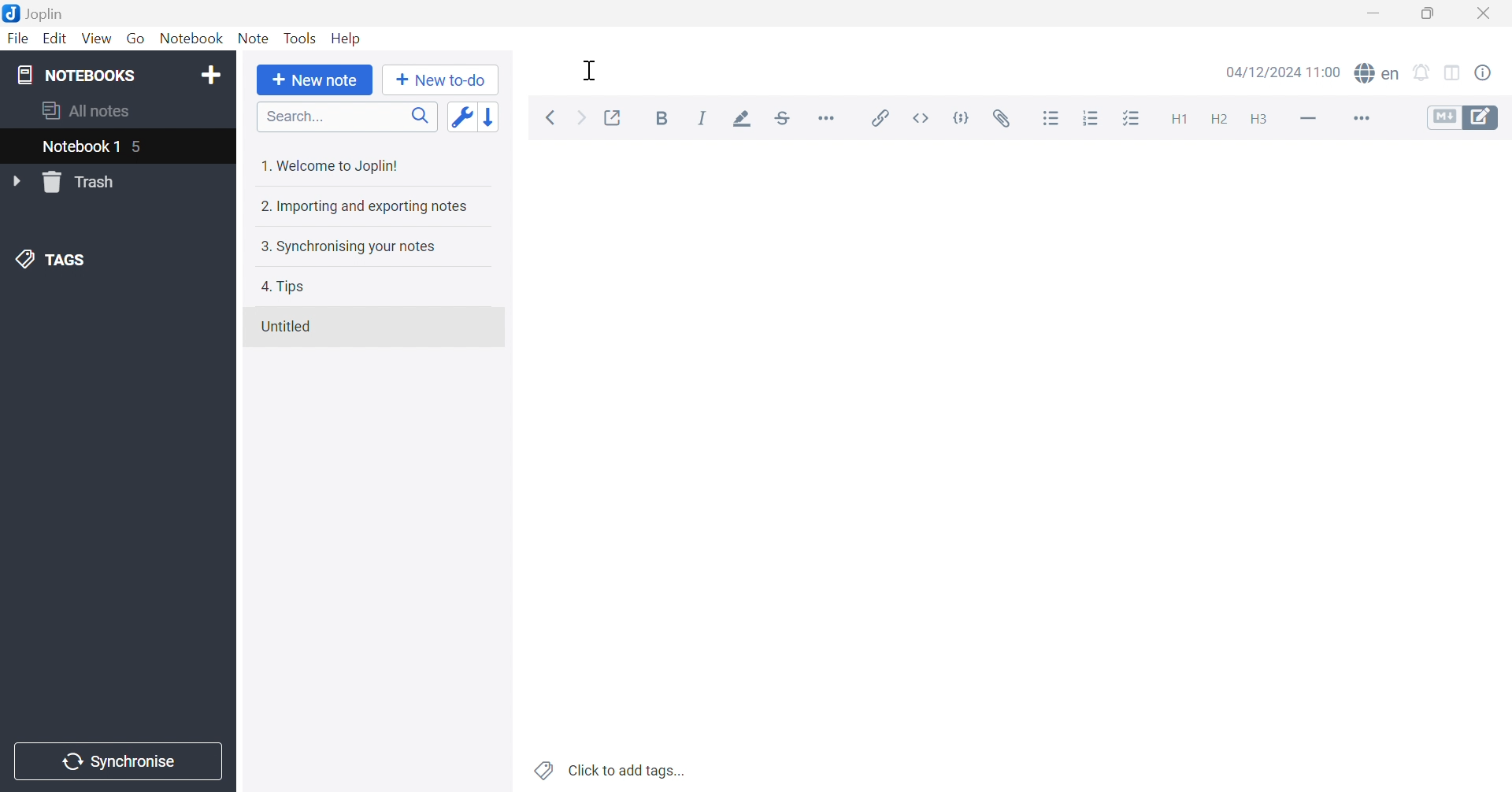 Image resolution: width=1512 pixels, height=792 pixels. What do you see at coordinates (1280, 72) in the screenshot?
I see `04/12/2024` at bounding box center [1280, 72].